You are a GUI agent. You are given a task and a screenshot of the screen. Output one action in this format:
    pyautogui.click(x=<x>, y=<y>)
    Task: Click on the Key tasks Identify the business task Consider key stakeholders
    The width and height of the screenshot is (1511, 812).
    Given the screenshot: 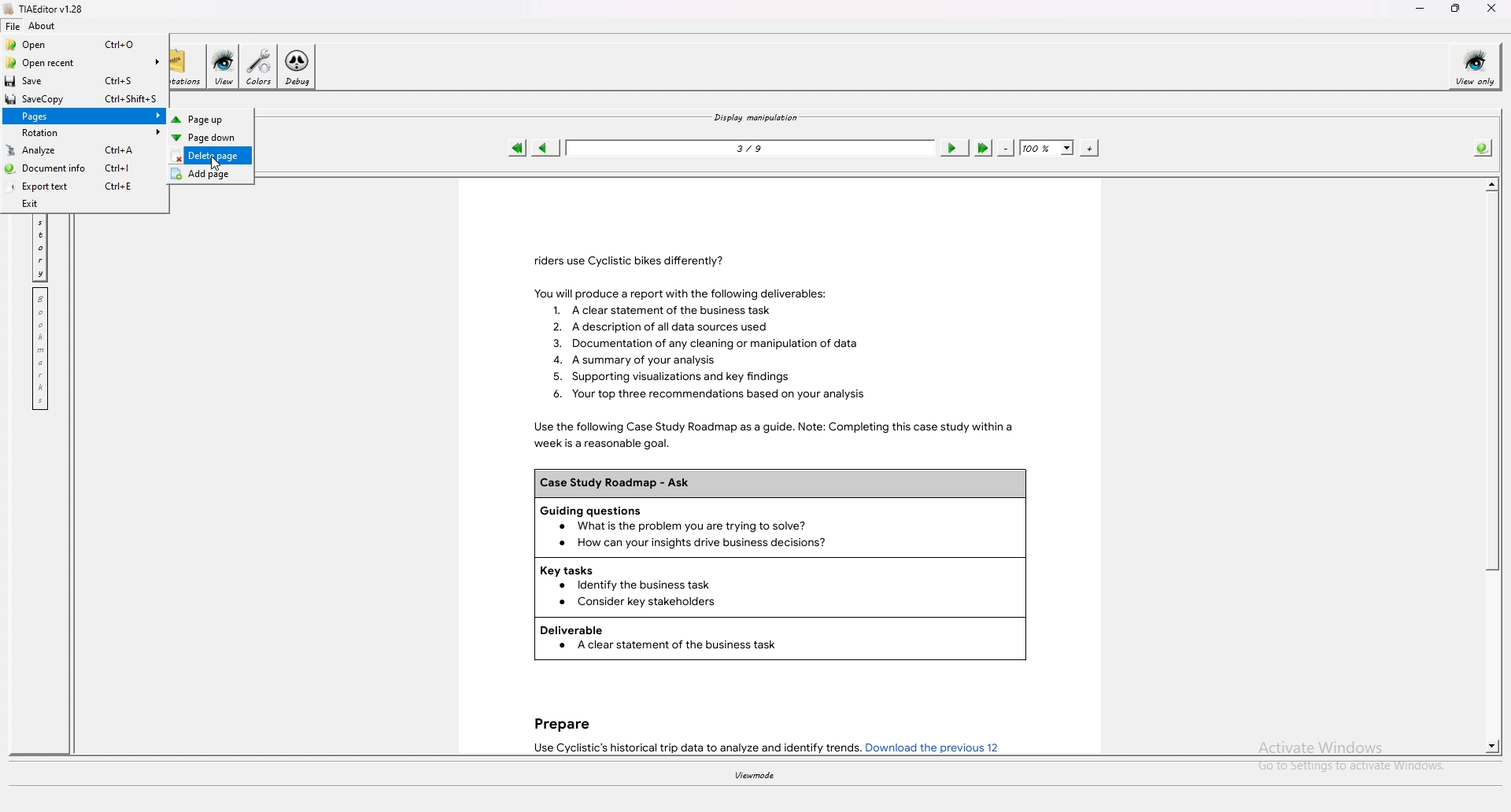 What is the action you would take?
    pyautogui.click(x=781, y=588)
    